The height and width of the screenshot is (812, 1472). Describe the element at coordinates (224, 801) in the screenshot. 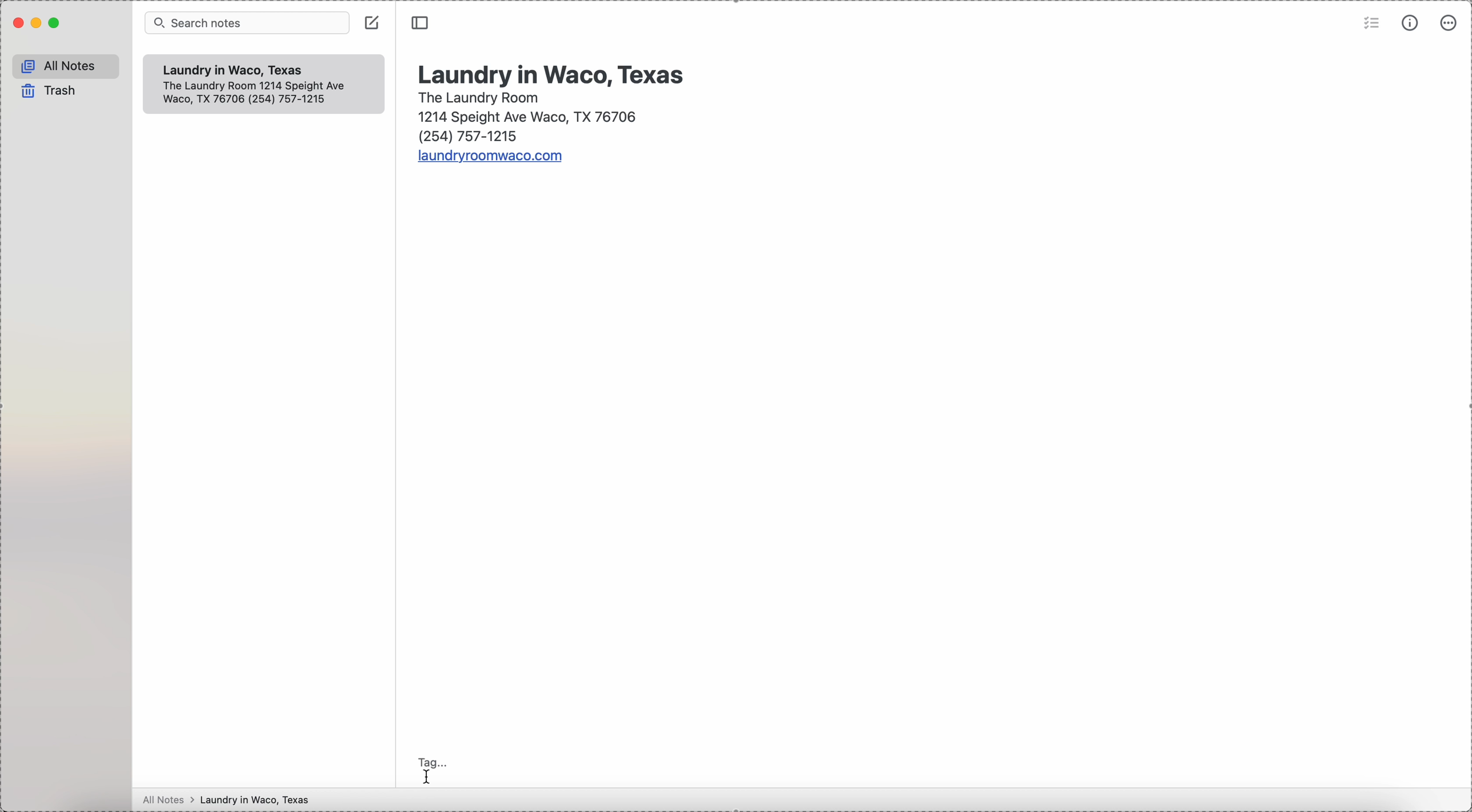

I see `all notes > Laundry in Waco, Texas` at that location.